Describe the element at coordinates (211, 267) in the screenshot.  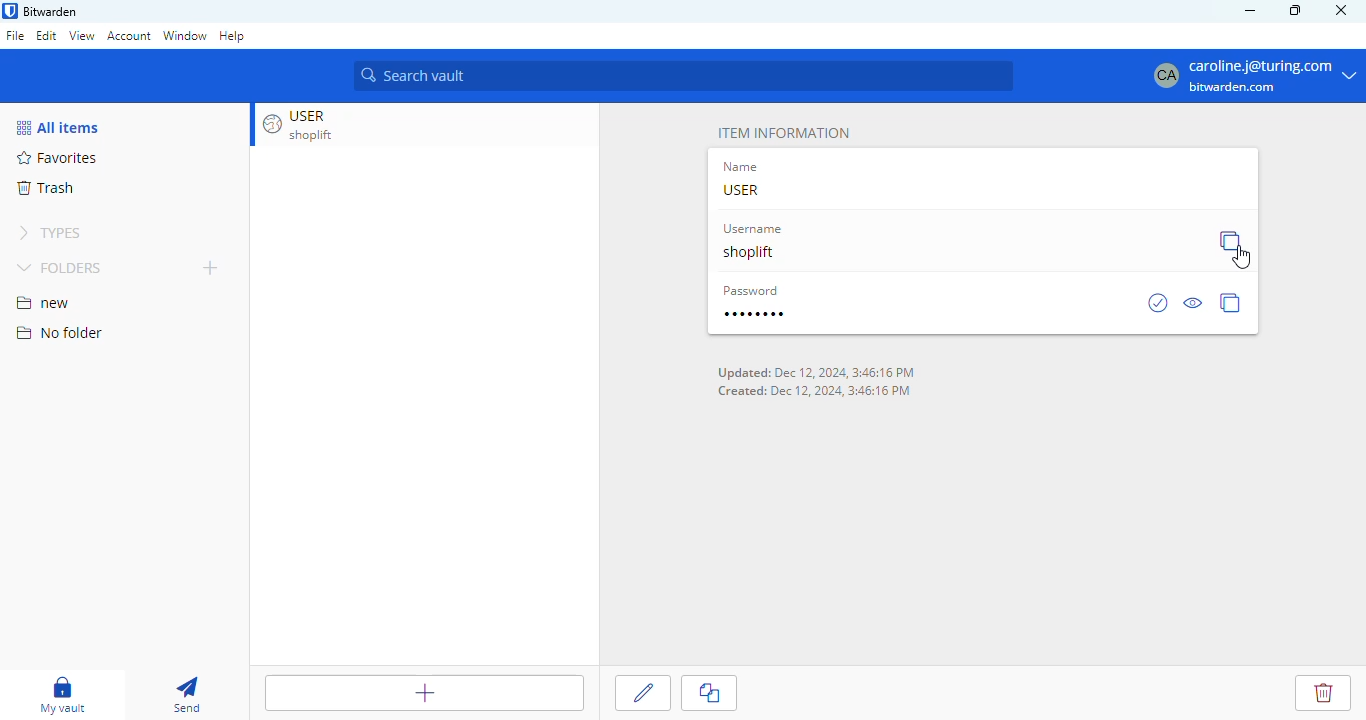
I see `add folder` at that location.